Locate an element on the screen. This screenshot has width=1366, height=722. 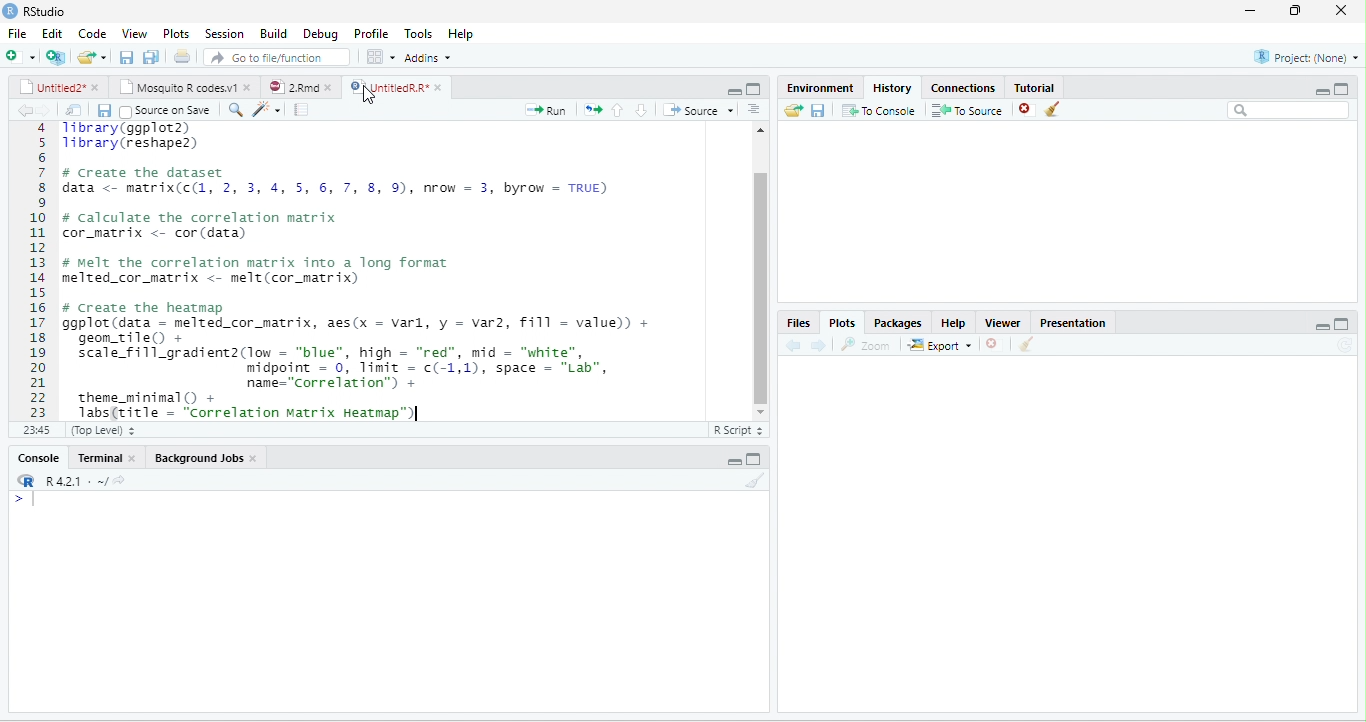
source on save is located at coordinates (169, 109).